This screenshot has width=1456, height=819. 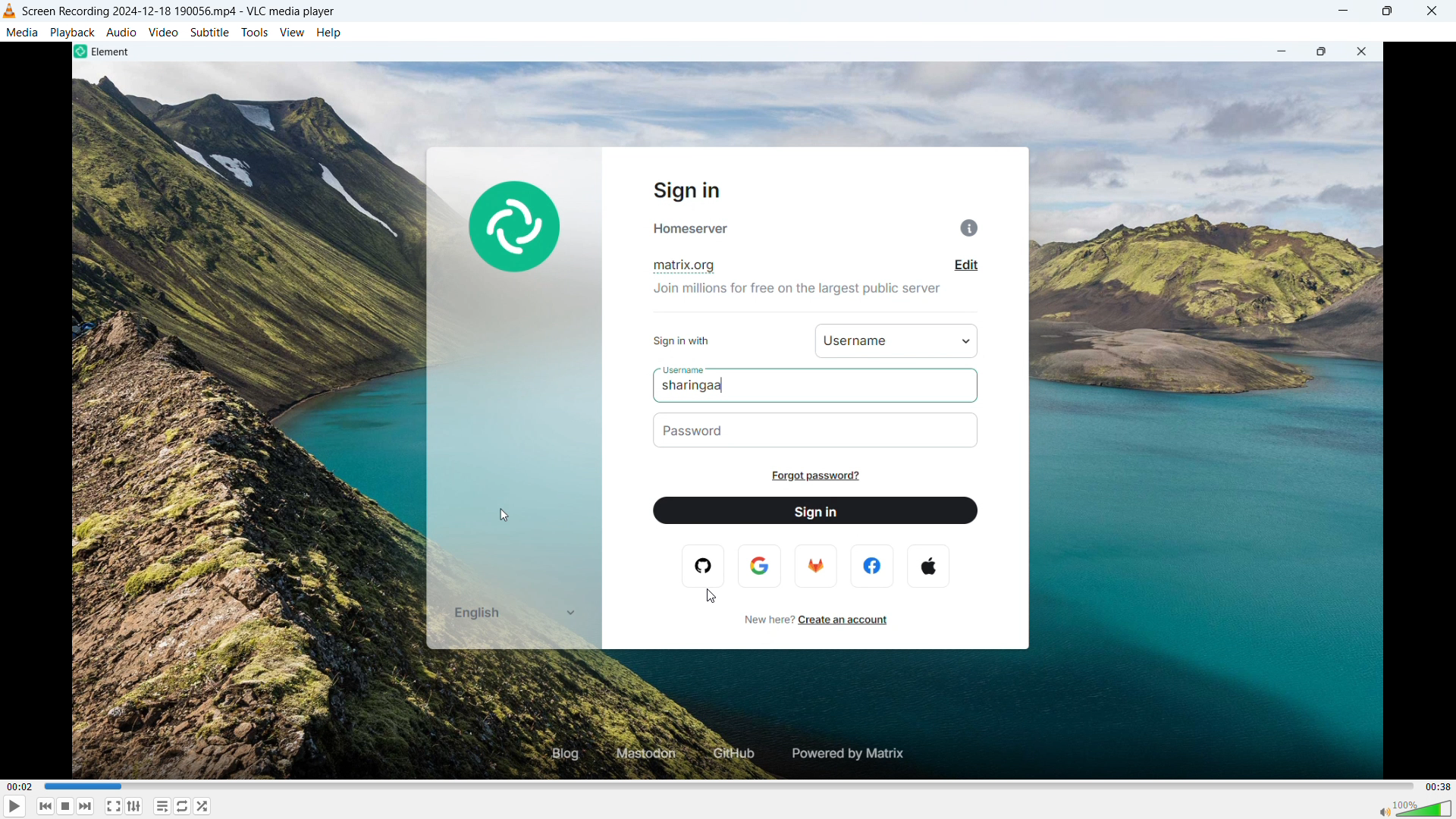 I want to click on view, so click(x=293, y=33).